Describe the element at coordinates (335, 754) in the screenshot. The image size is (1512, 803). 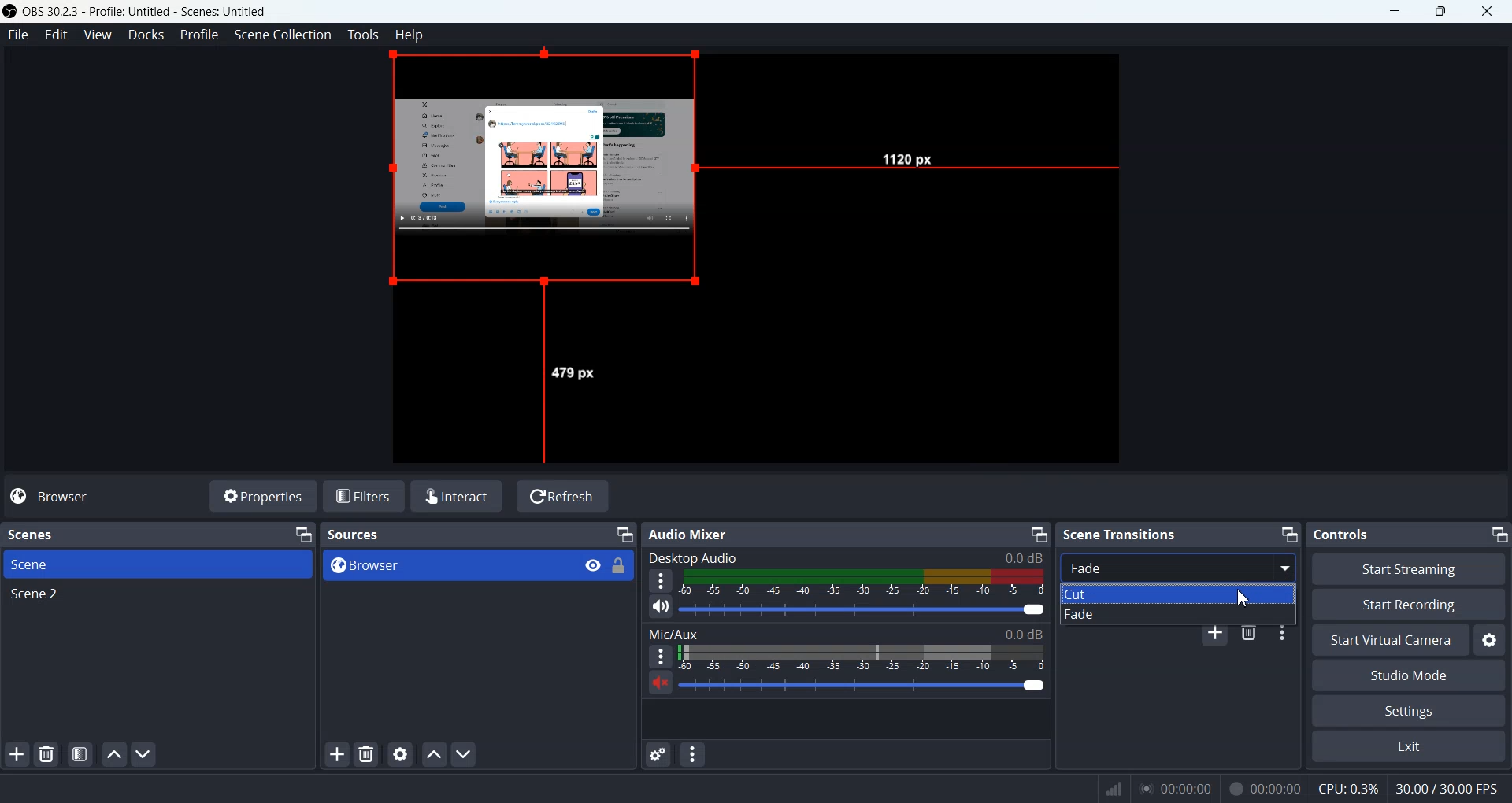
I see `Add source` at that location.